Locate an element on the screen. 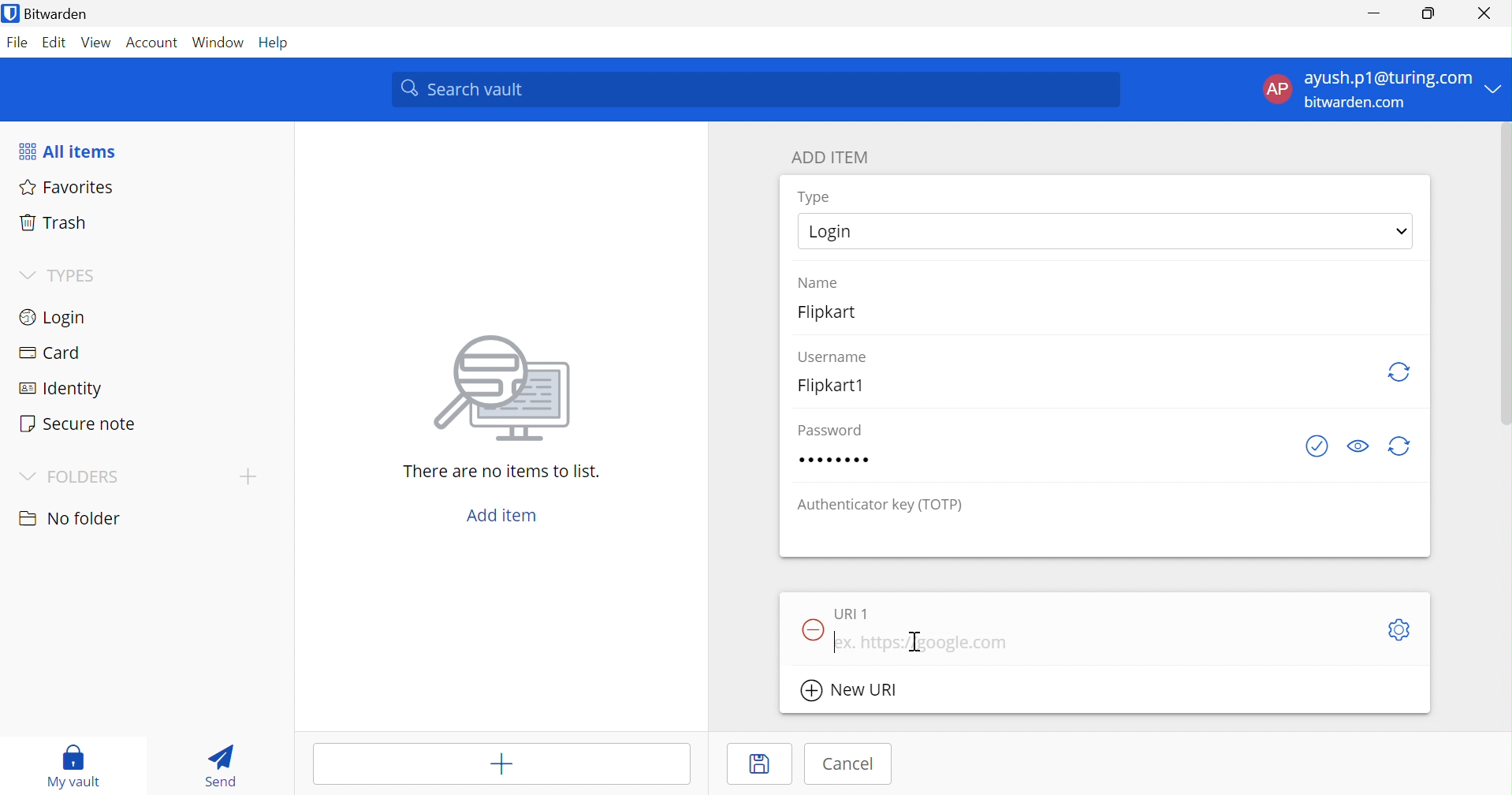 This screenshot has height=795, width=1512.  is located at coordinates (810, 632).